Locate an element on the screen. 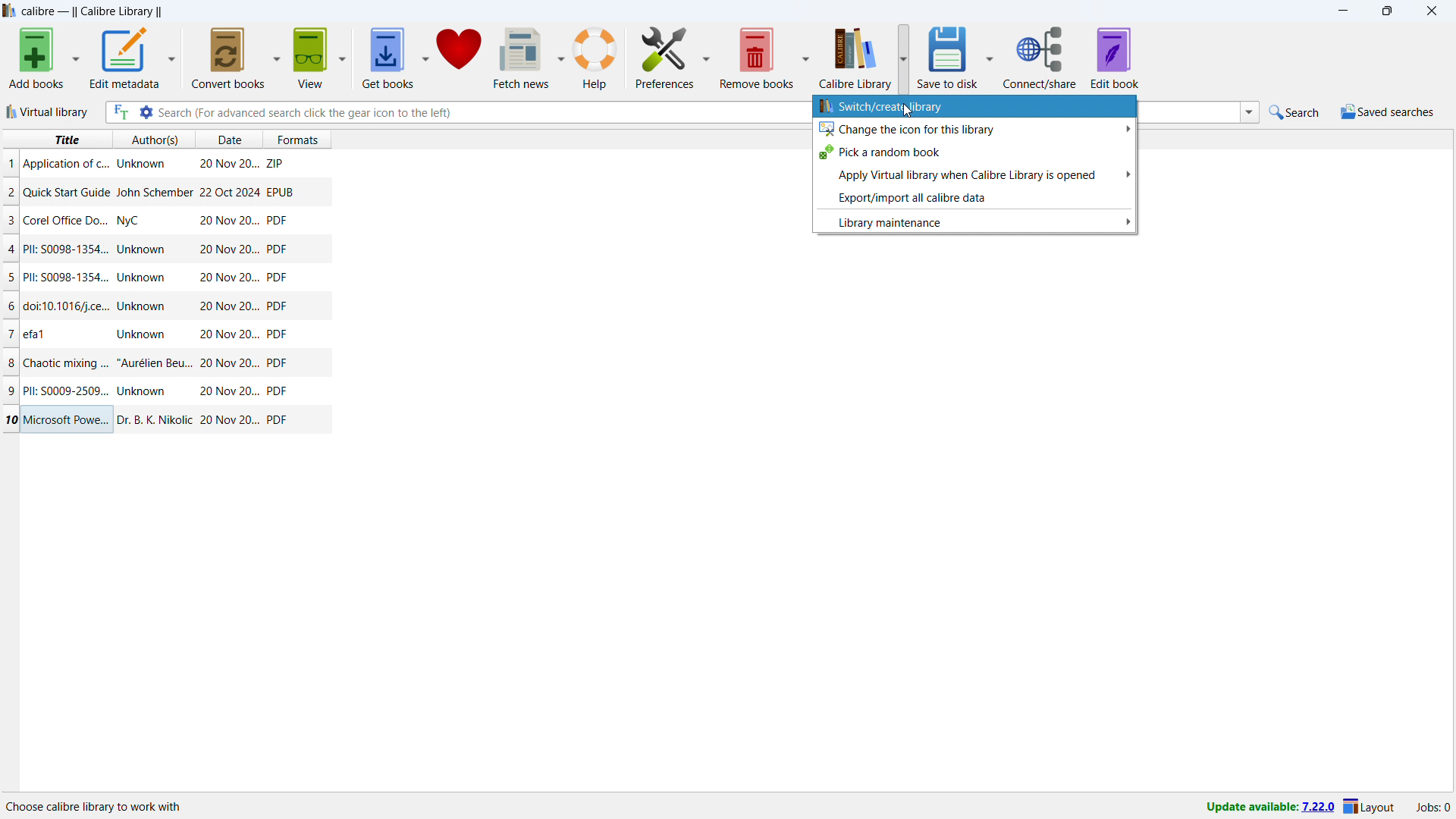 The height and width of the screenshot is (819, 1456). Author is located at coordinates (153, 192).